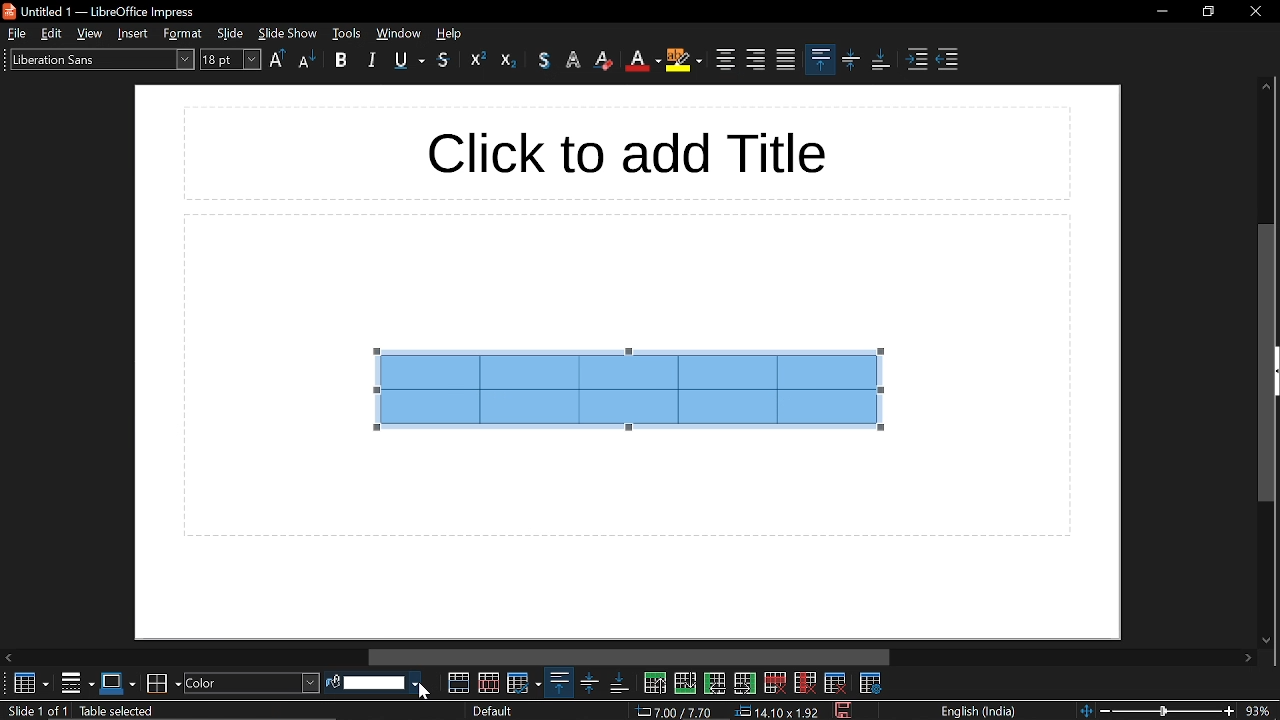 This screenshot has height=720, width=1280. I want to click on align bottom, so click(616, 683).